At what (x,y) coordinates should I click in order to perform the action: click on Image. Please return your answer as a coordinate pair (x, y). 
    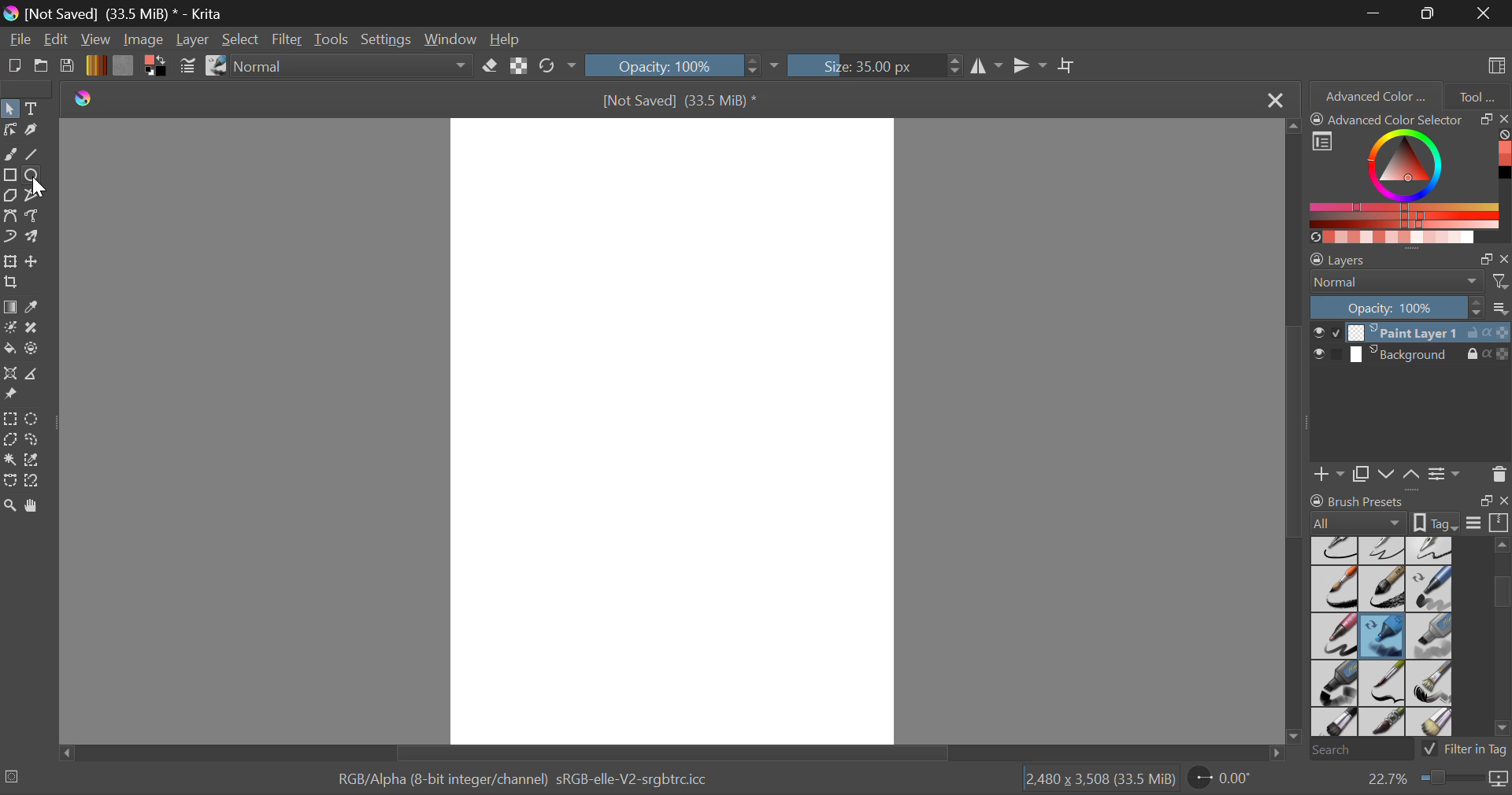
    Looking at the image, I should click on (145, 39).